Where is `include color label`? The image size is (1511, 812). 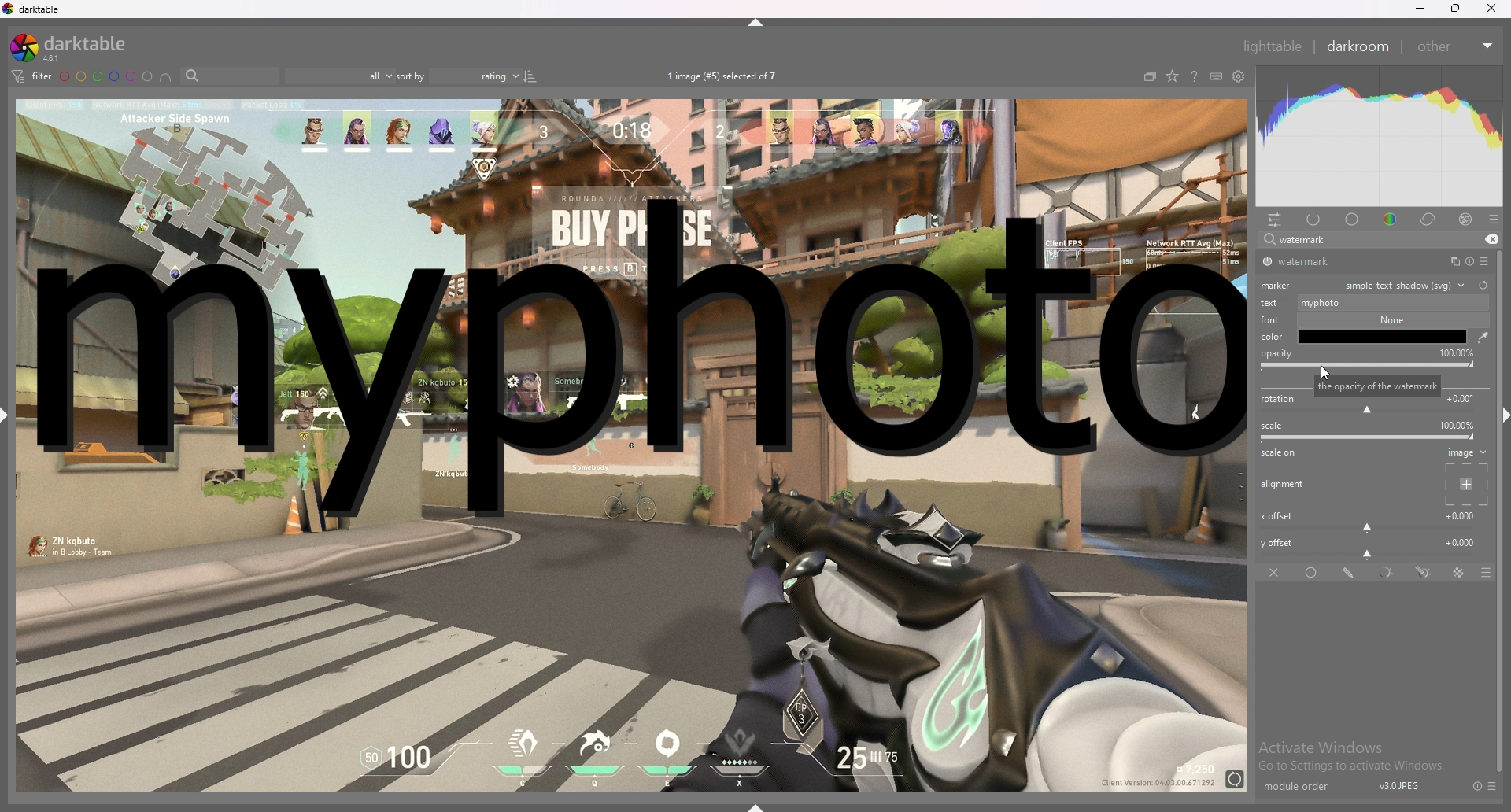
include color label is located at coordinates (165, 77).